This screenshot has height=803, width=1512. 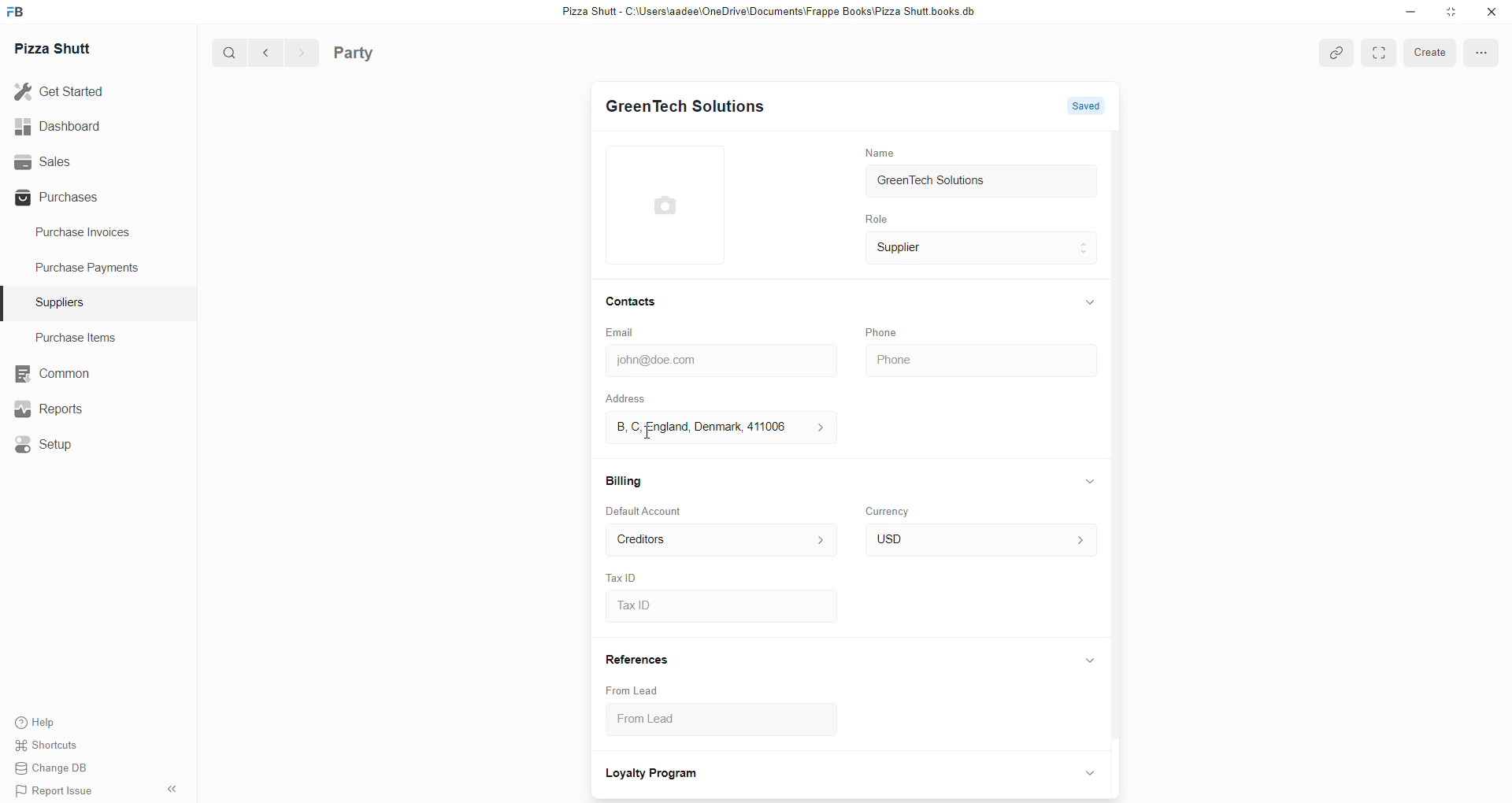 I want to click on Address, so click(x=636, y=398).